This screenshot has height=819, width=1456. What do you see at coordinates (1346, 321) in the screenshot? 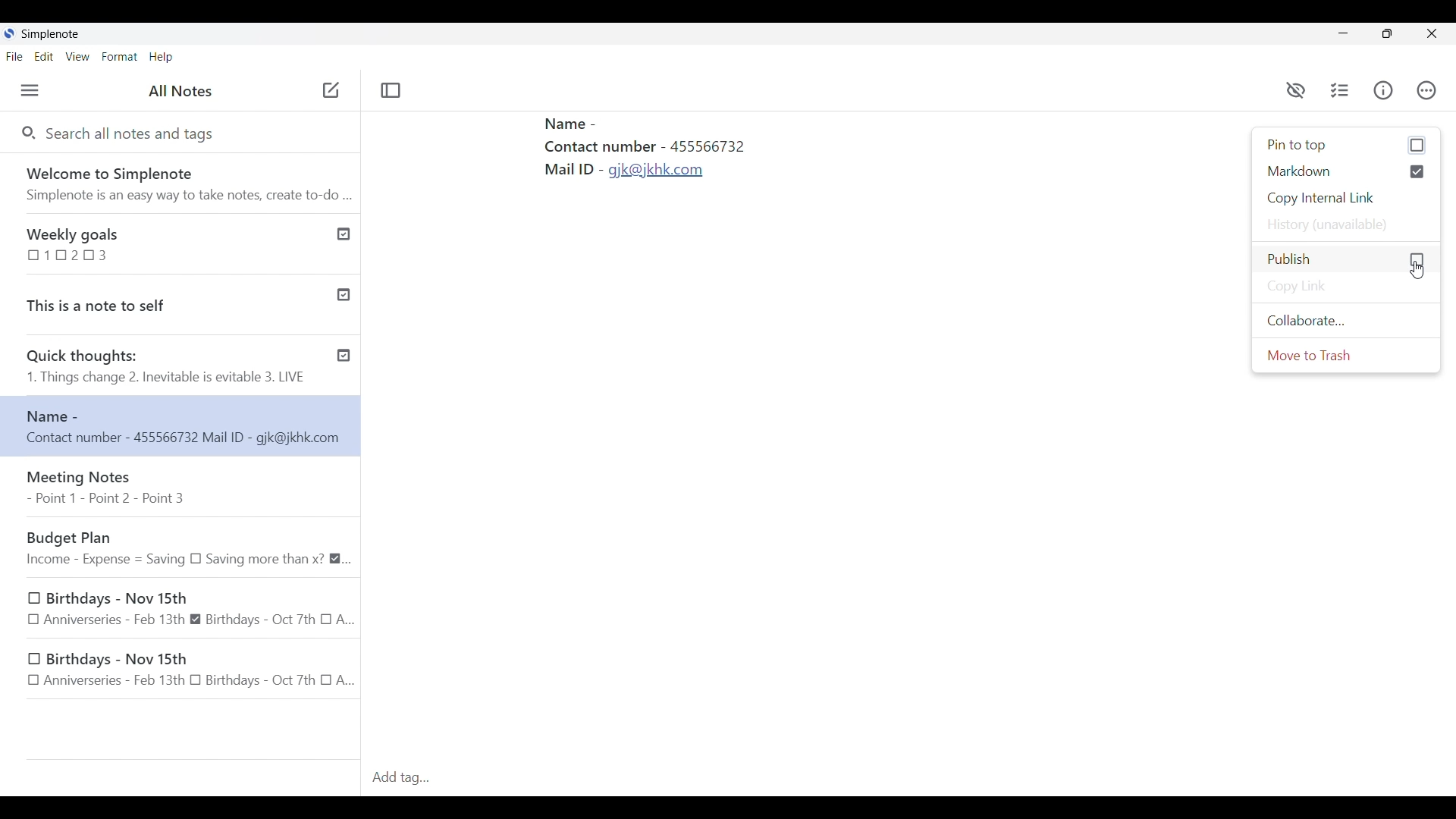
I see `Collaborate` at bounding box center [1346, 321].